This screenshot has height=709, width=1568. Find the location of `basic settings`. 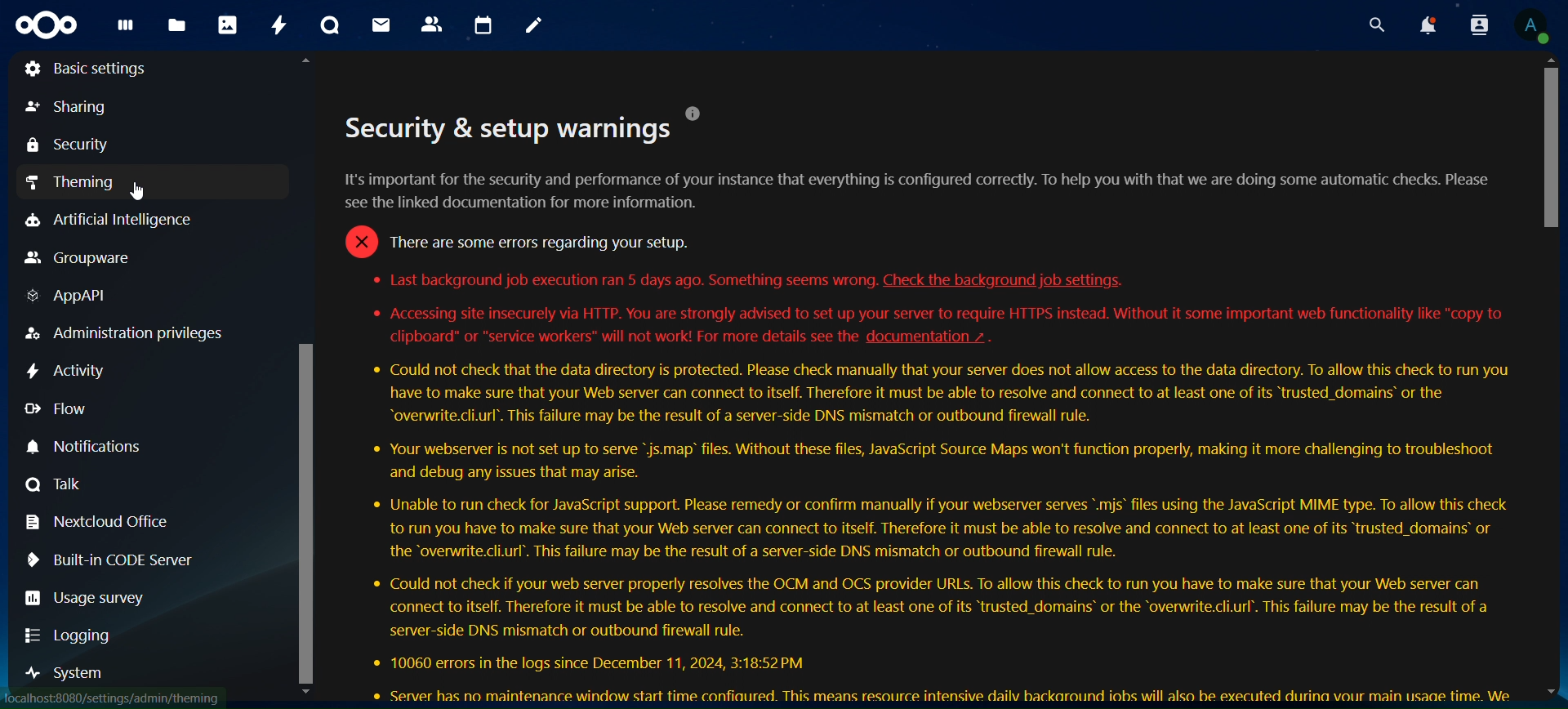

basic settings is located at coordinates (91, 71).